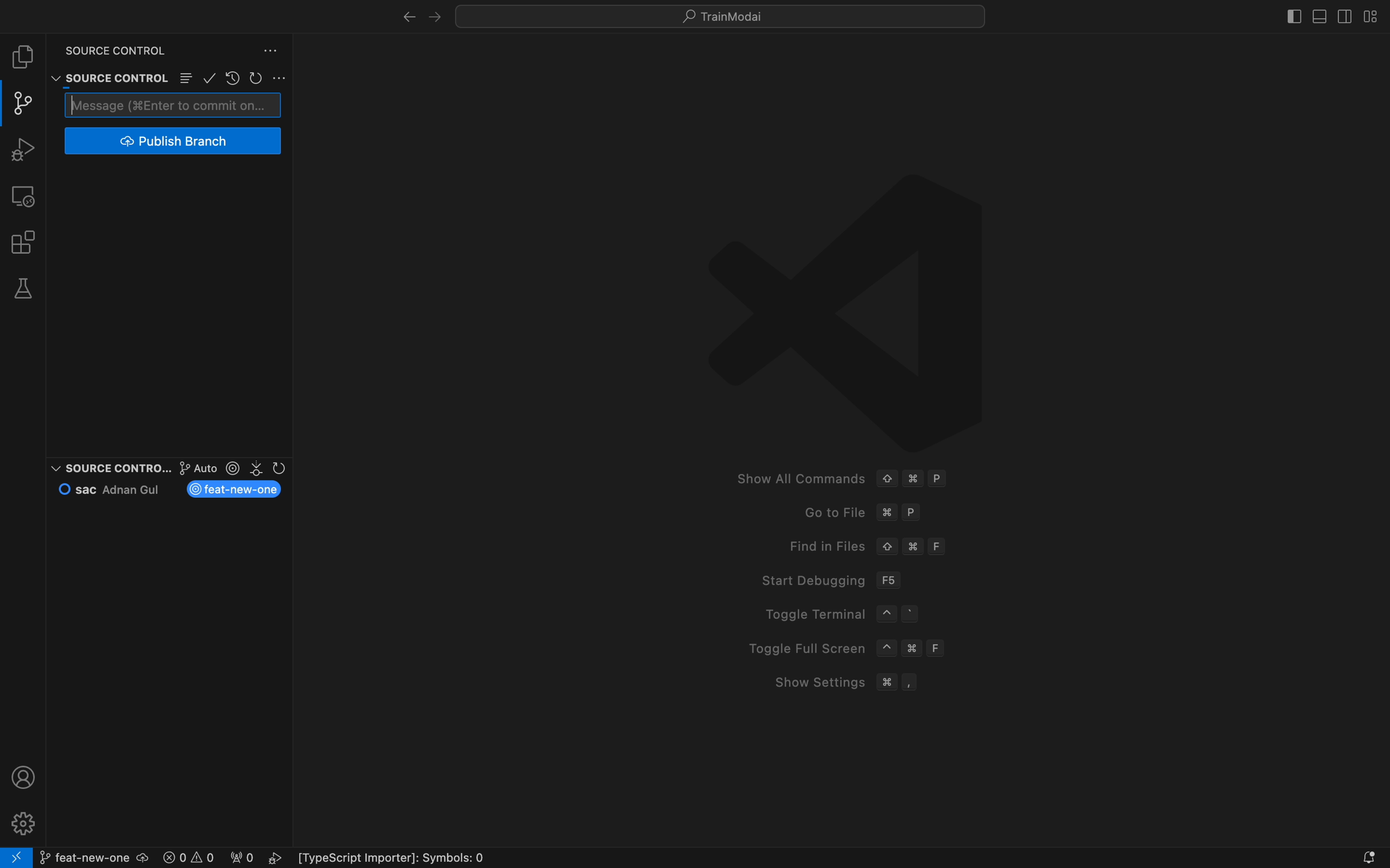 The width and height of the screenshot is (1390, 868). What do you see at coordinates (1321, 15) in the screenshot?
I see `toggle primary bar` at bounding box center [1321, 15].